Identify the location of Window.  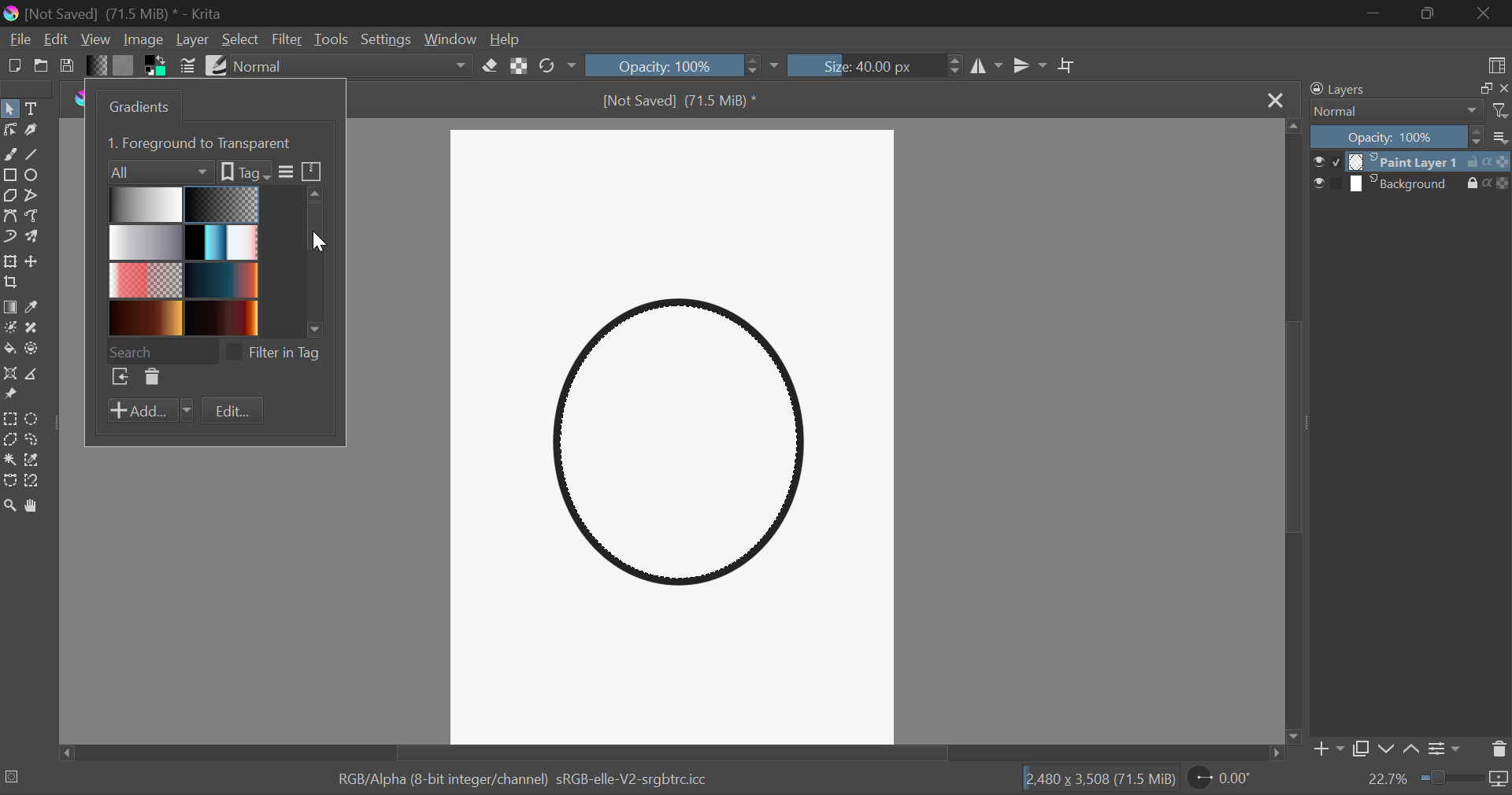
(452, 42).